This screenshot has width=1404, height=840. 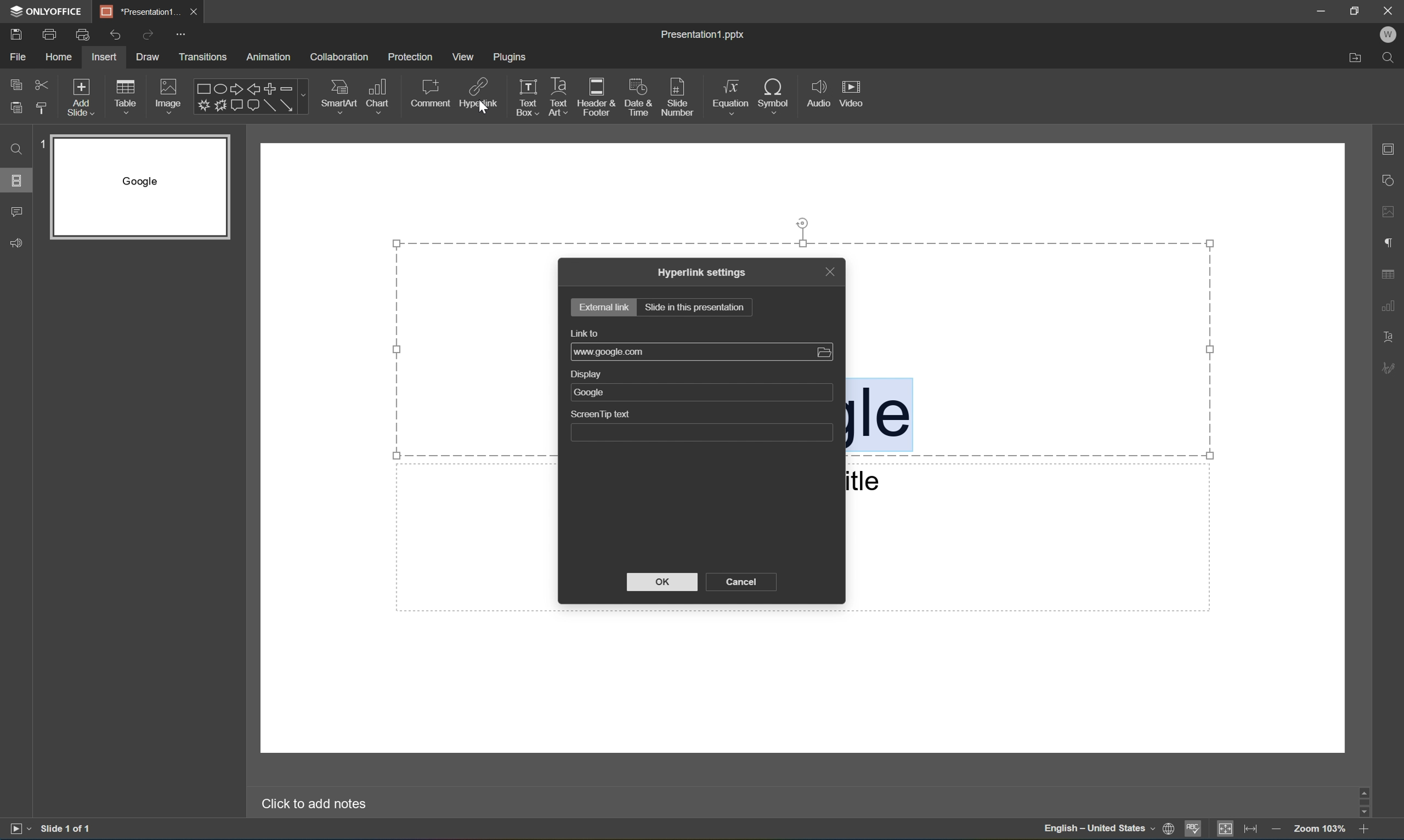 I want to click on Image, so click(x=170, y=96).